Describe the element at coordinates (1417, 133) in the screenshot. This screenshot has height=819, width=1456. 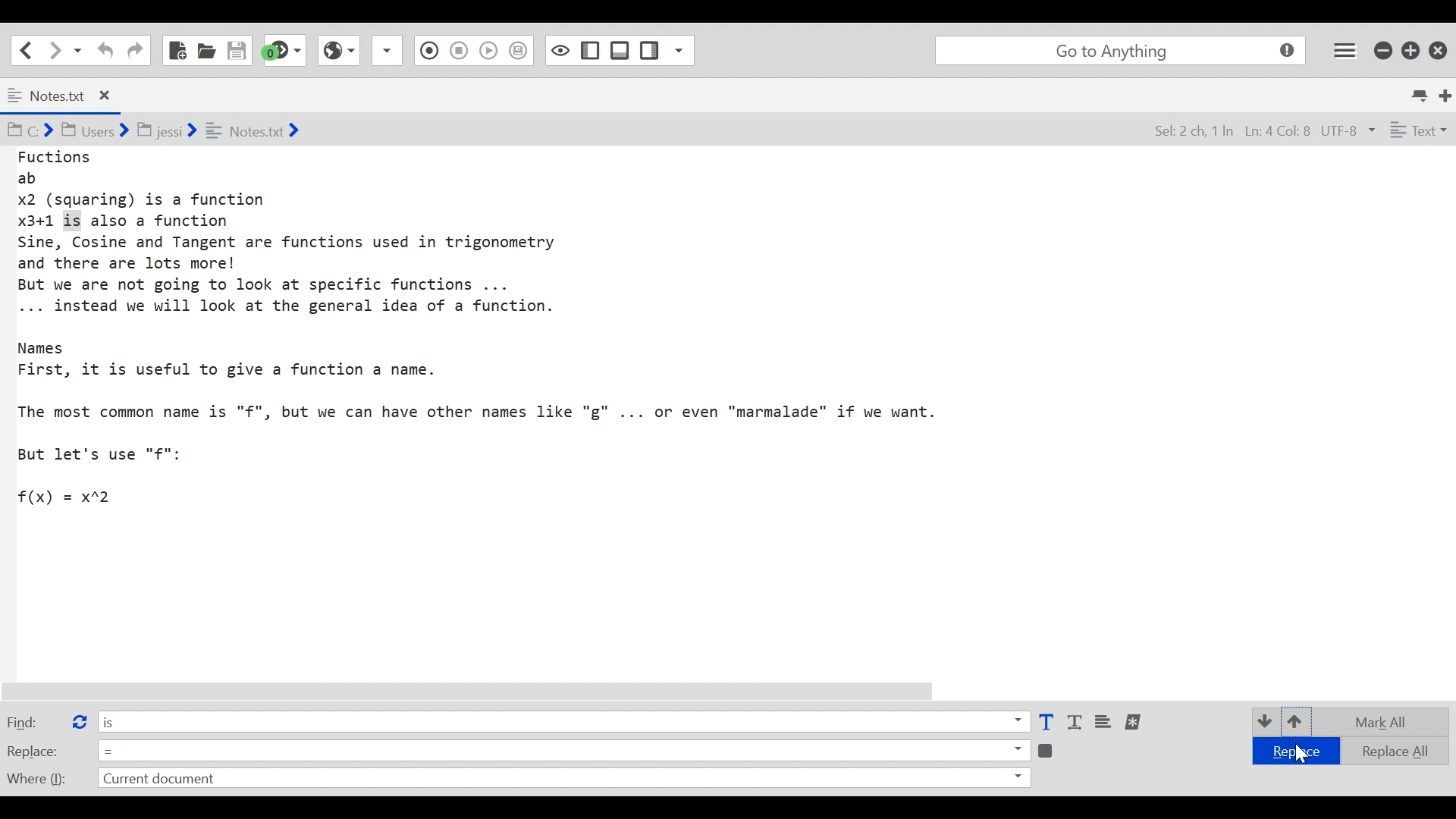
I see `File Type` at that location.